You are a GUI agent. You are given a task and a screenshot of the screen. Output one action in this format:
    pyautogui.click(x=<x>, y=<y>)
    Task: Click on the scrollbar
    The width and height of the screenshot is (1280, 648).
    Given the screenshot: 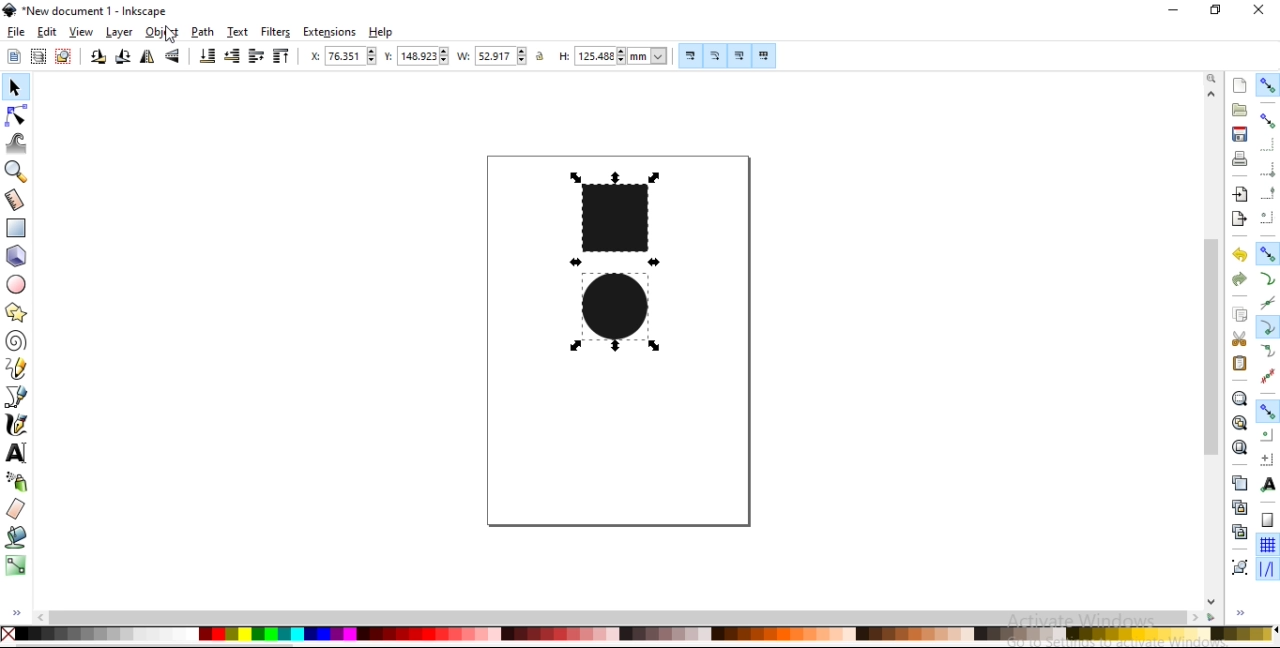 What is the action you would take?
    pyautogui.click(x=1214, y=341)
    